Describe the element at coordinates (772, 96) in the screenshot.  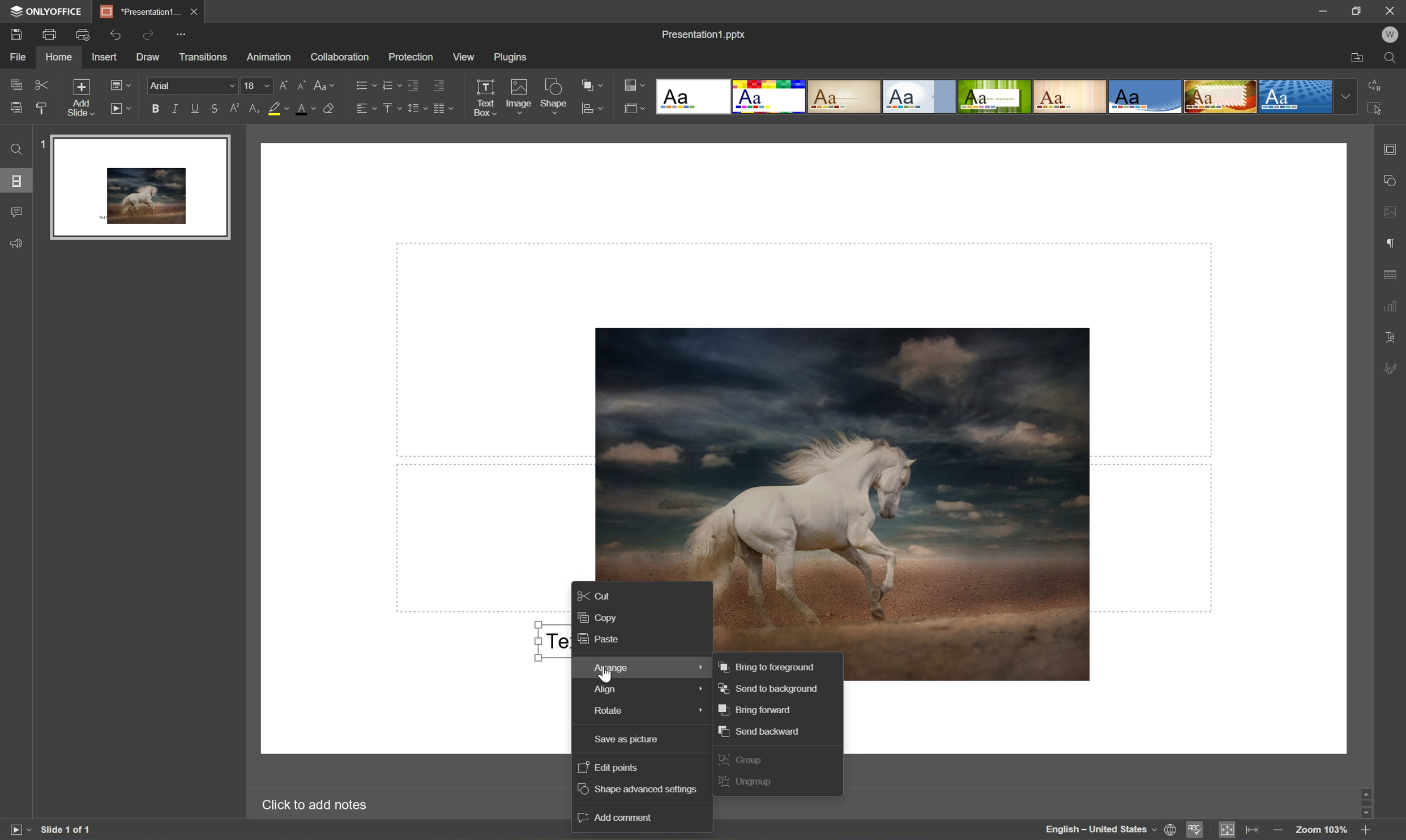
I see `Basic` at that location.